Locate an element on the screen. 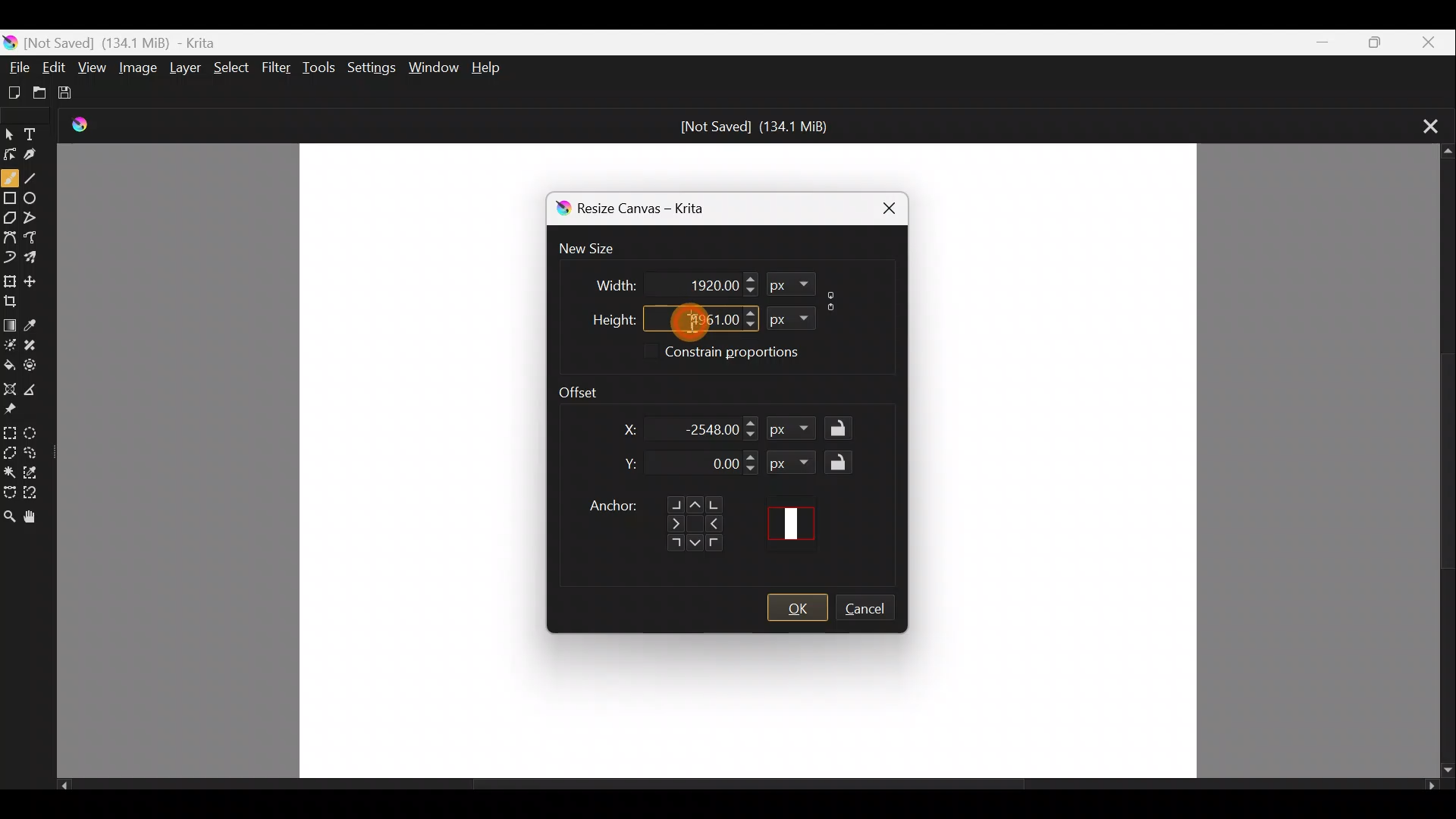  Text tool is located at coordinates (39, 129).